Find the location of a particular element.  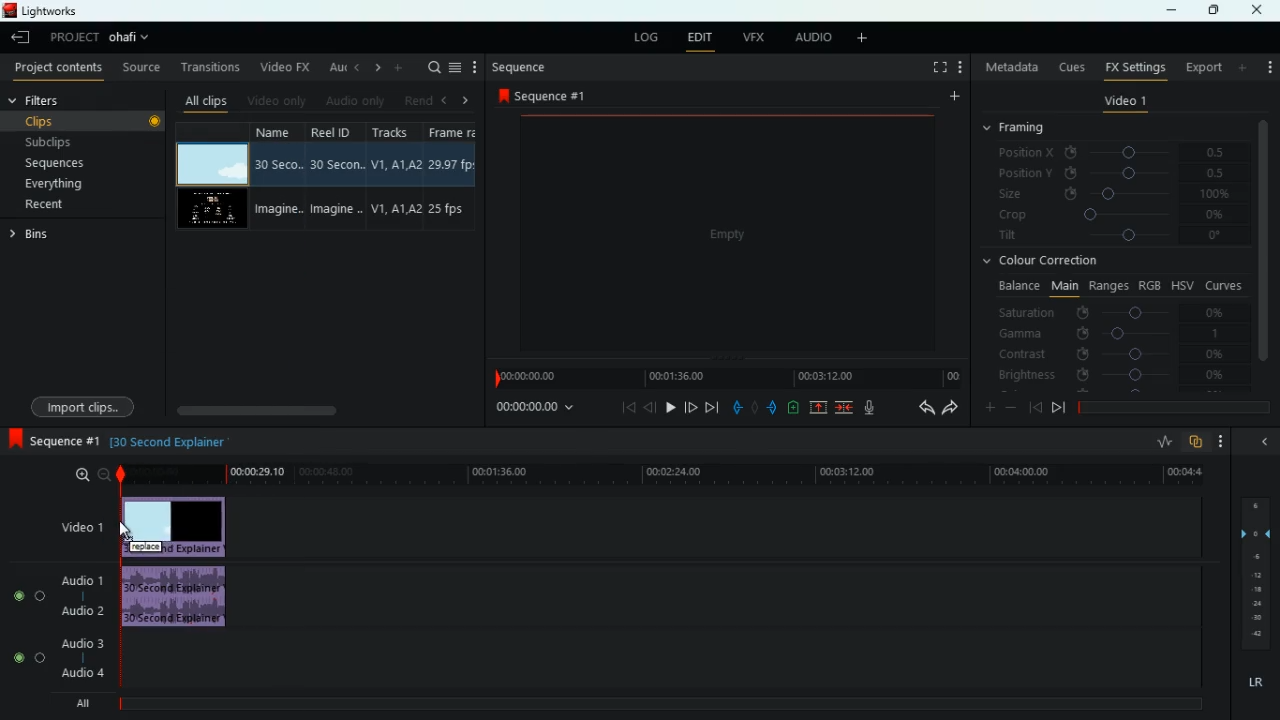

curves is located at coordinates (1224, 284).